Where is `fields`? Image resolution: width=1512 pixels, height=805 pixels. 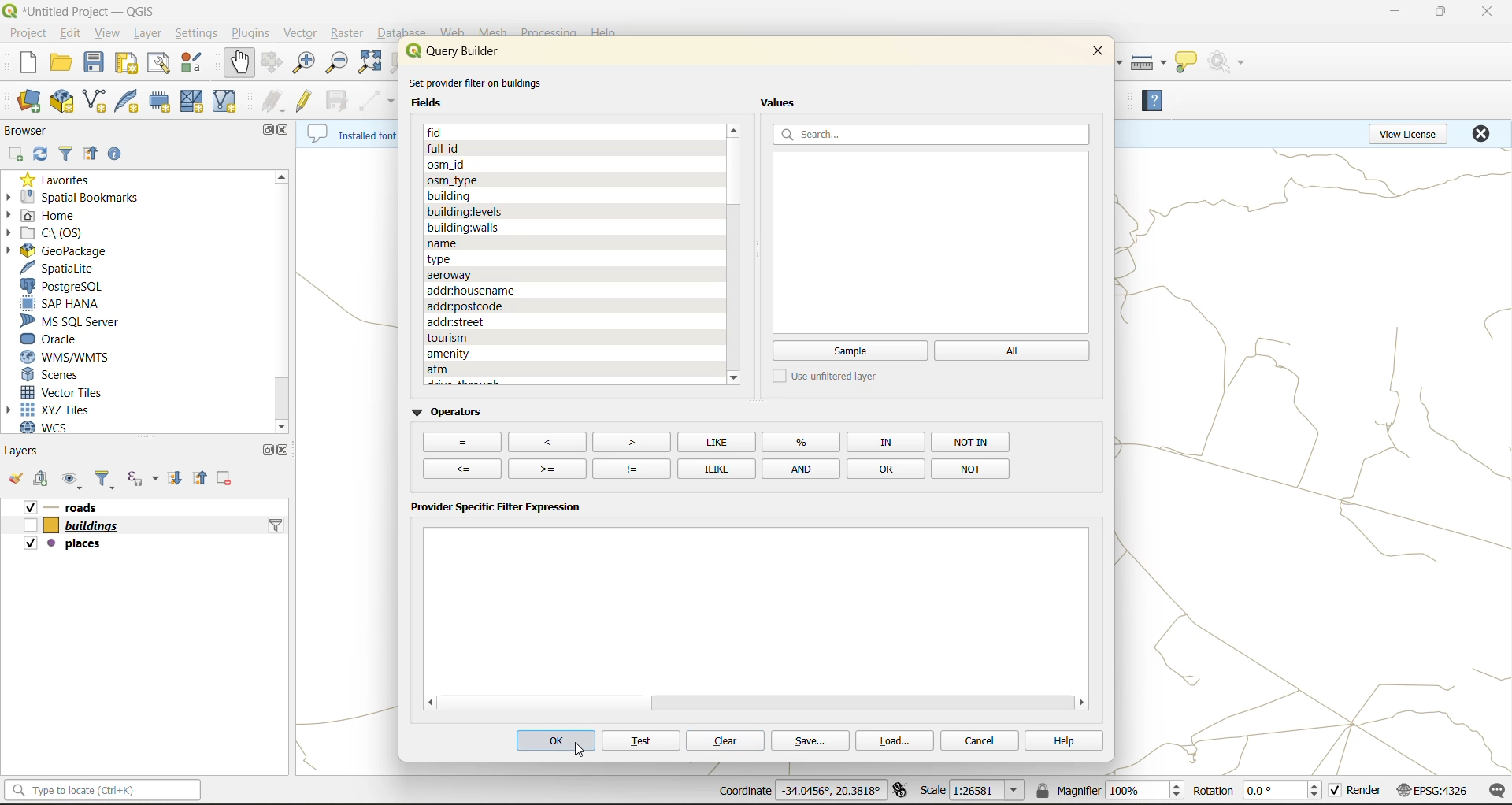 fields is located at coordinates (539, 368).